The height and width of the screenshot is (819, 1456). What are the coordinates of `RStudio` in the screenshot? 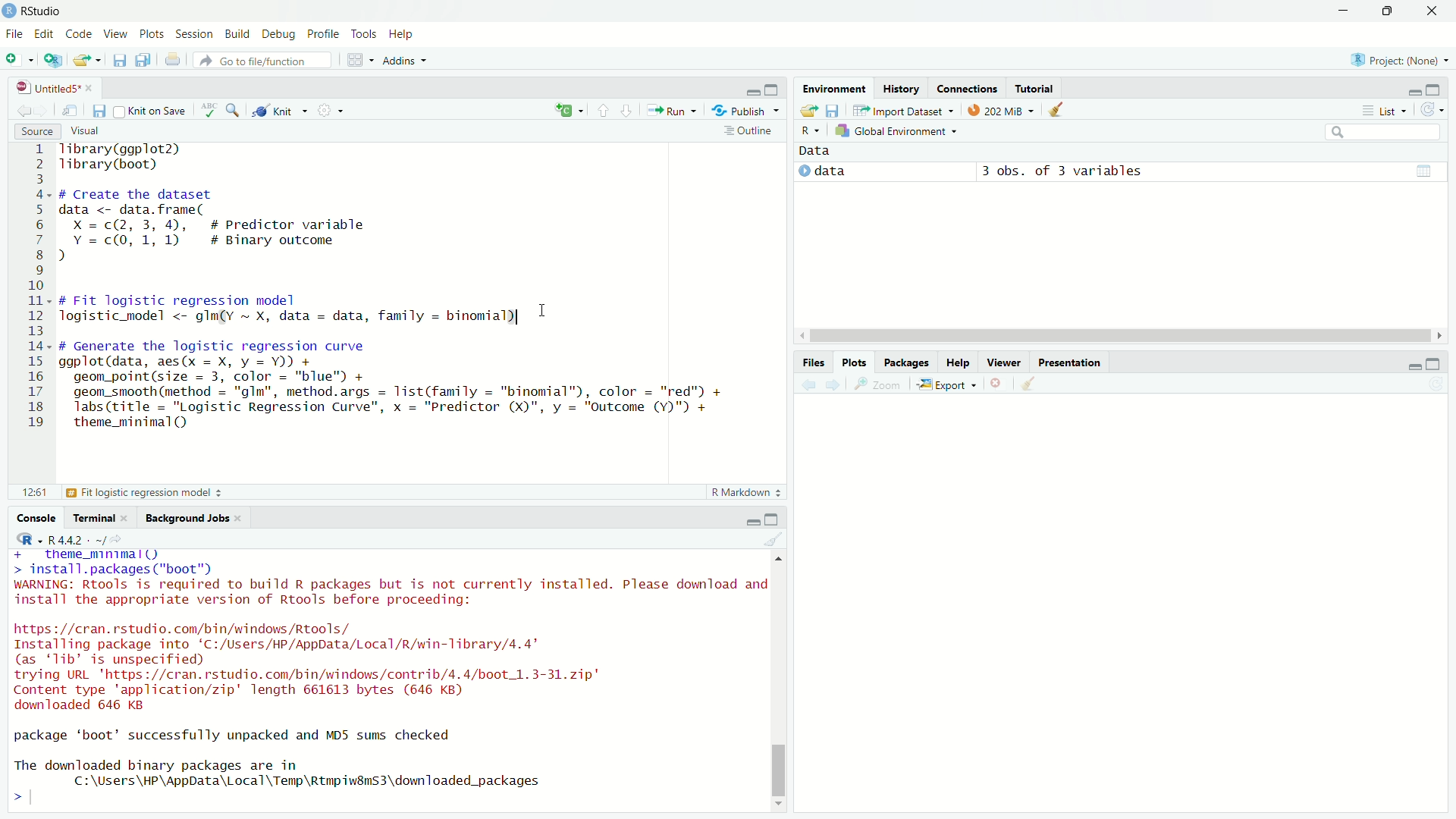 It's located at (32, 11).